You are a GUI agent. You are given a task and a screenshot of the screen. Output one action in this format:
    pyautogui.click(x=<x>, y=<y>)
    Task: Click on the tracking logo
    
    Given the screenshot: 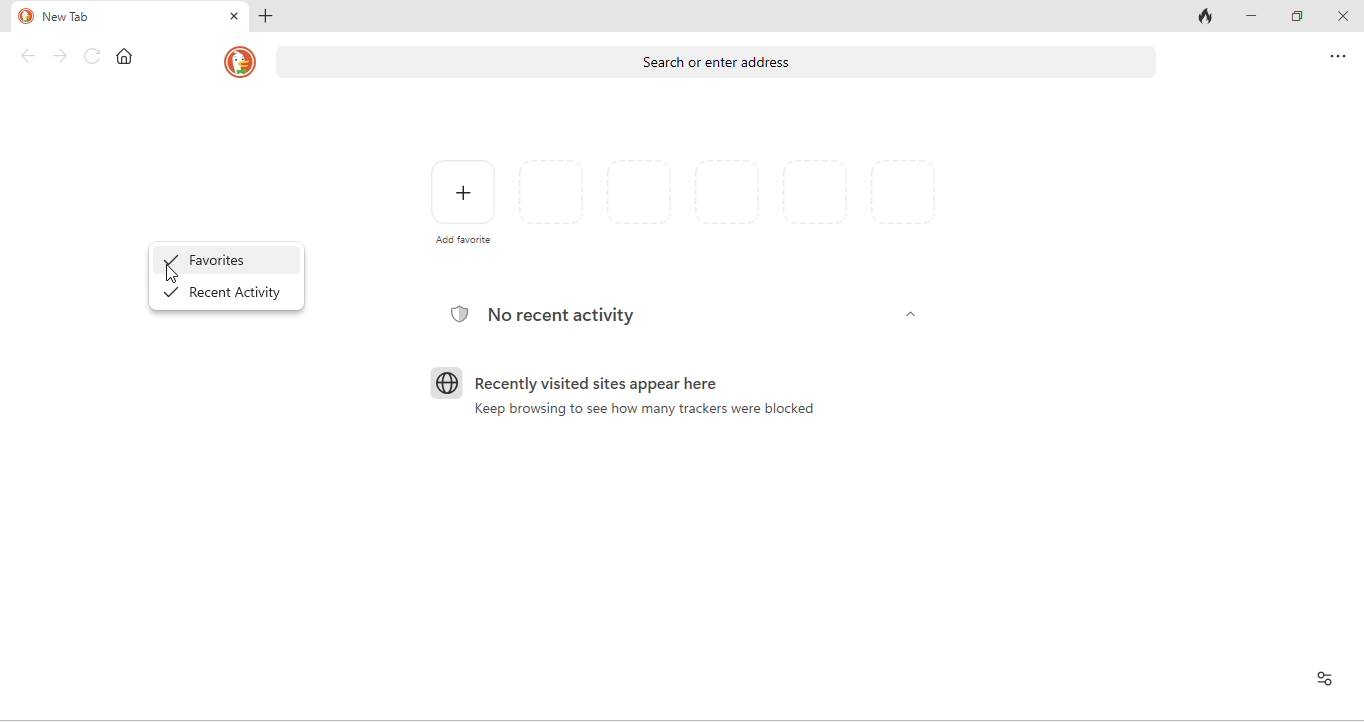 What is the action you would take?
    pyautogui.click(x=457, y=313)
    